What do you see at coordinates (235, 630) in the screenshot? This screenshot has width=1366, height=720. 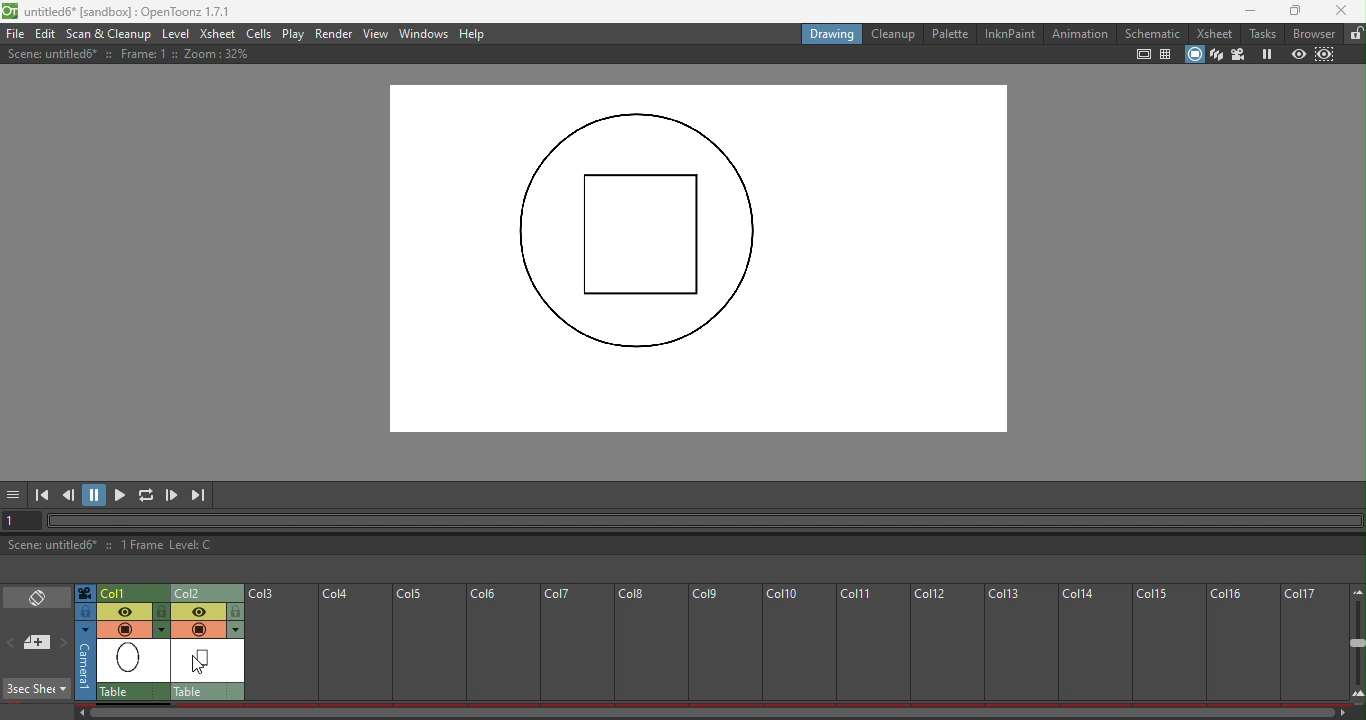 I see `Additional column settings` at bounding box center [235, 630].